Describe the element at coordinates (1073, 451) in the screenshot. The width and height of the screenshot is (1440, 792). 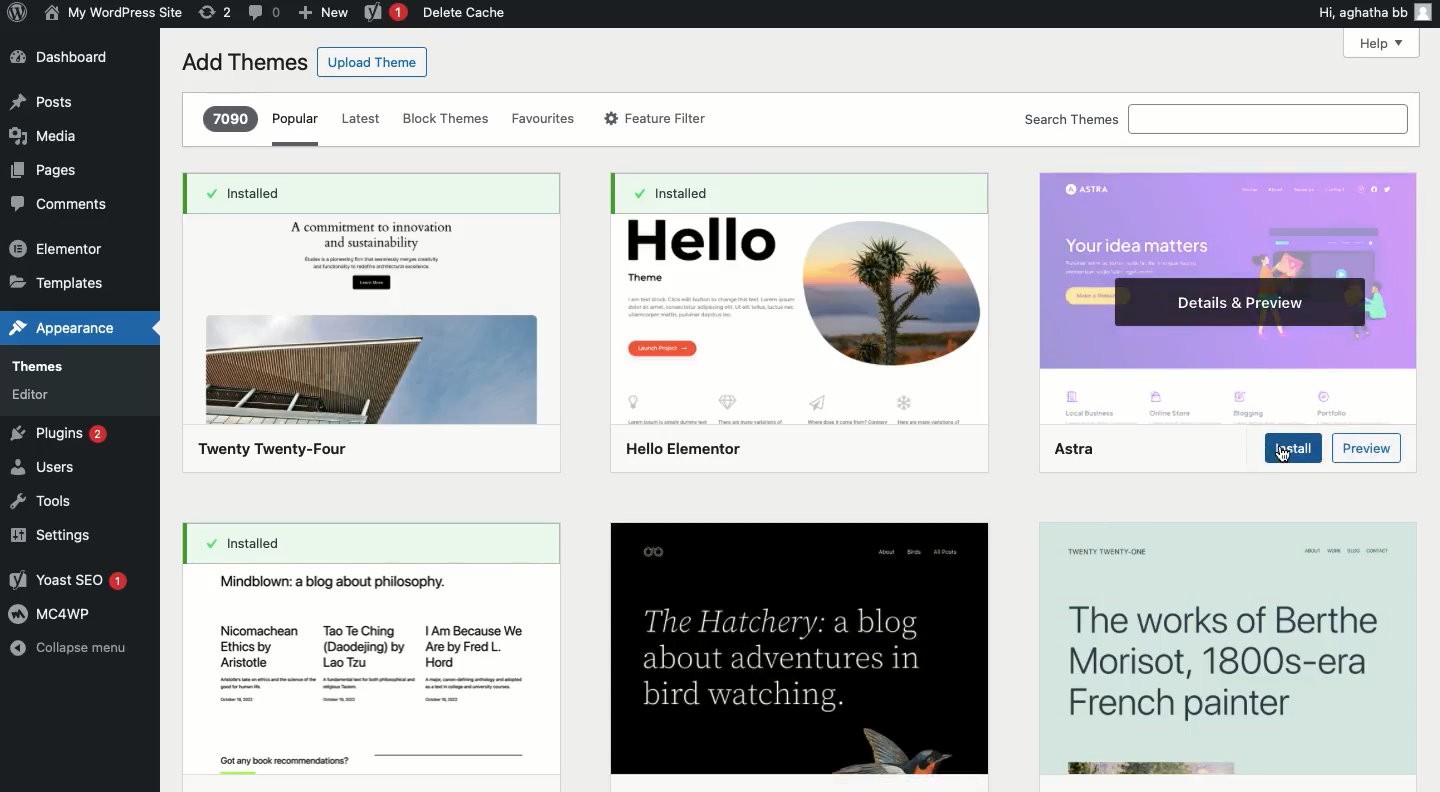
I see `Astra` at that location.